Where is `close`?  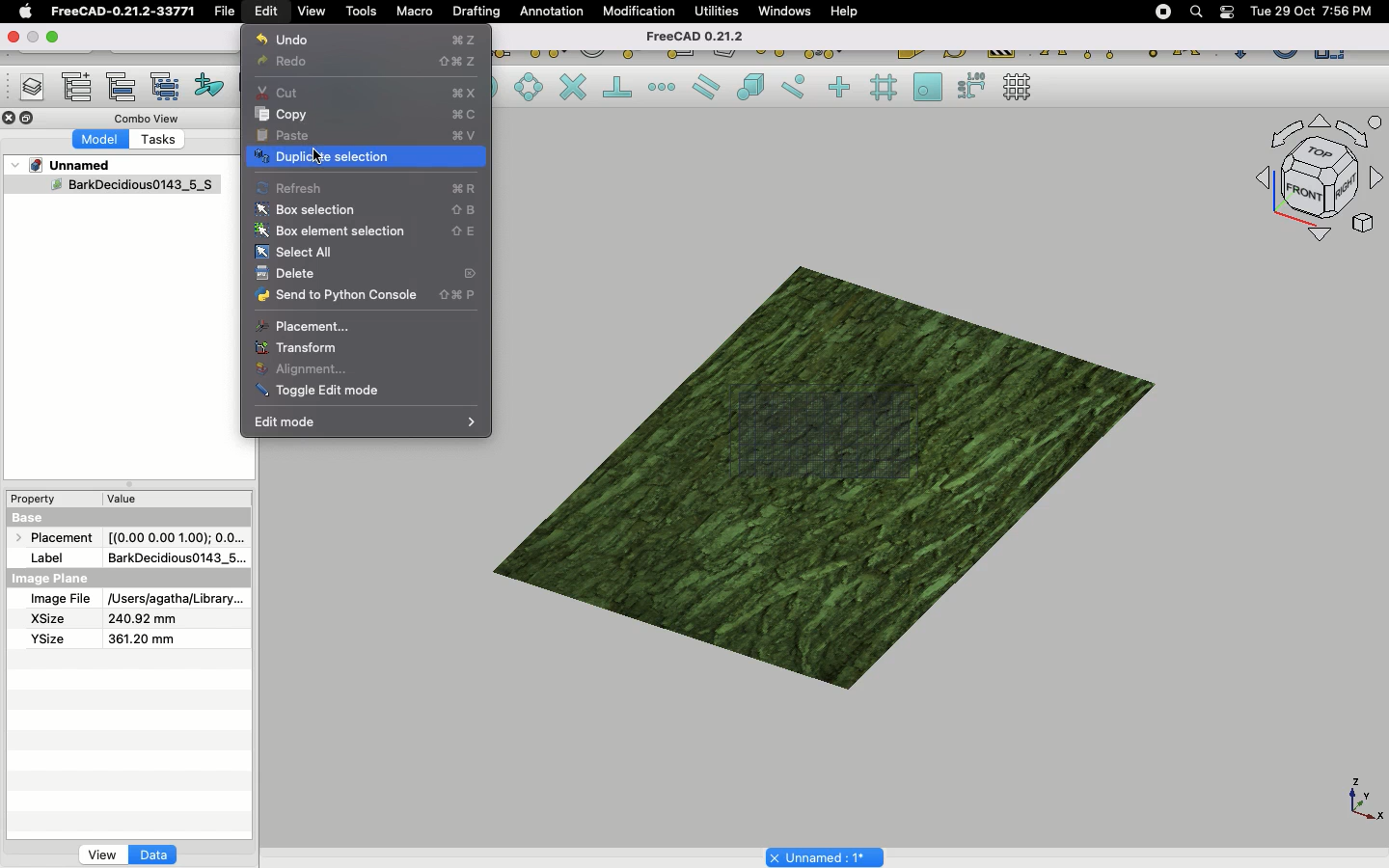
close is located at coordinates (11, 38).